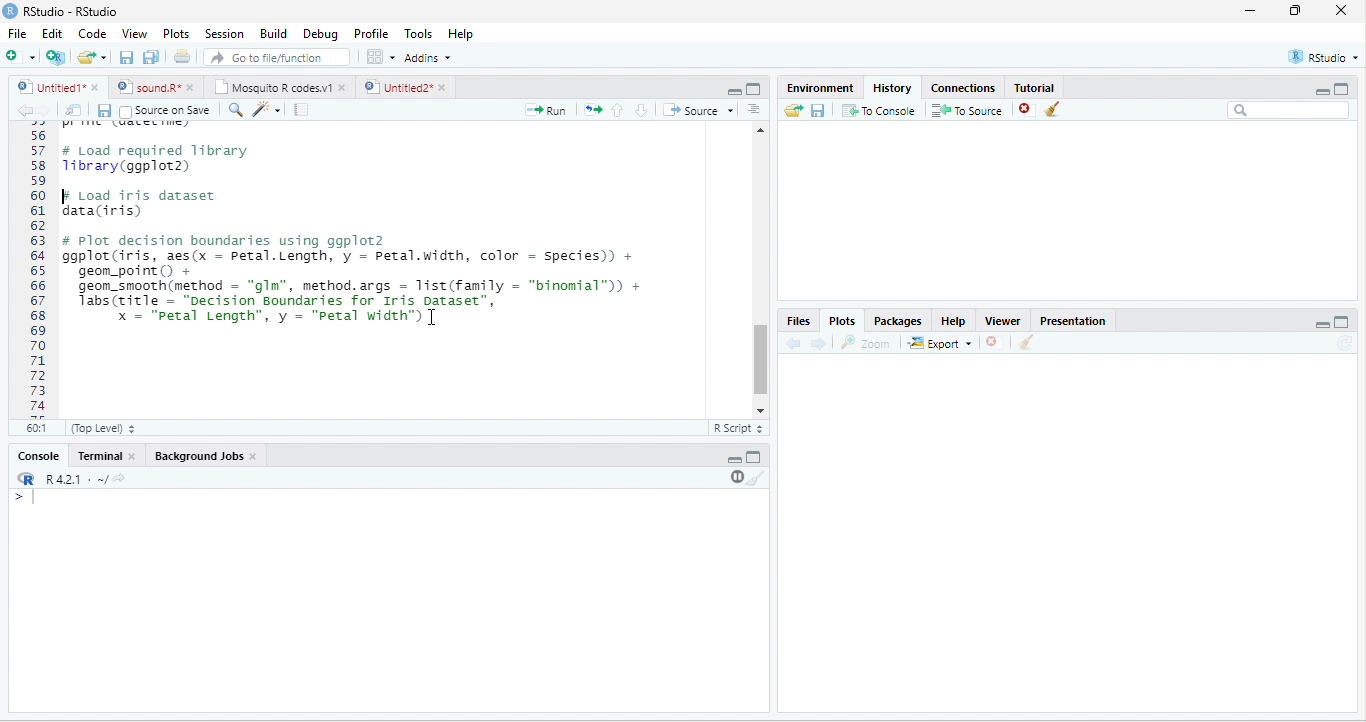 Image resolution: width=1366 pixels, height=722 pixels. I want to click on Export, so click(940, 344).